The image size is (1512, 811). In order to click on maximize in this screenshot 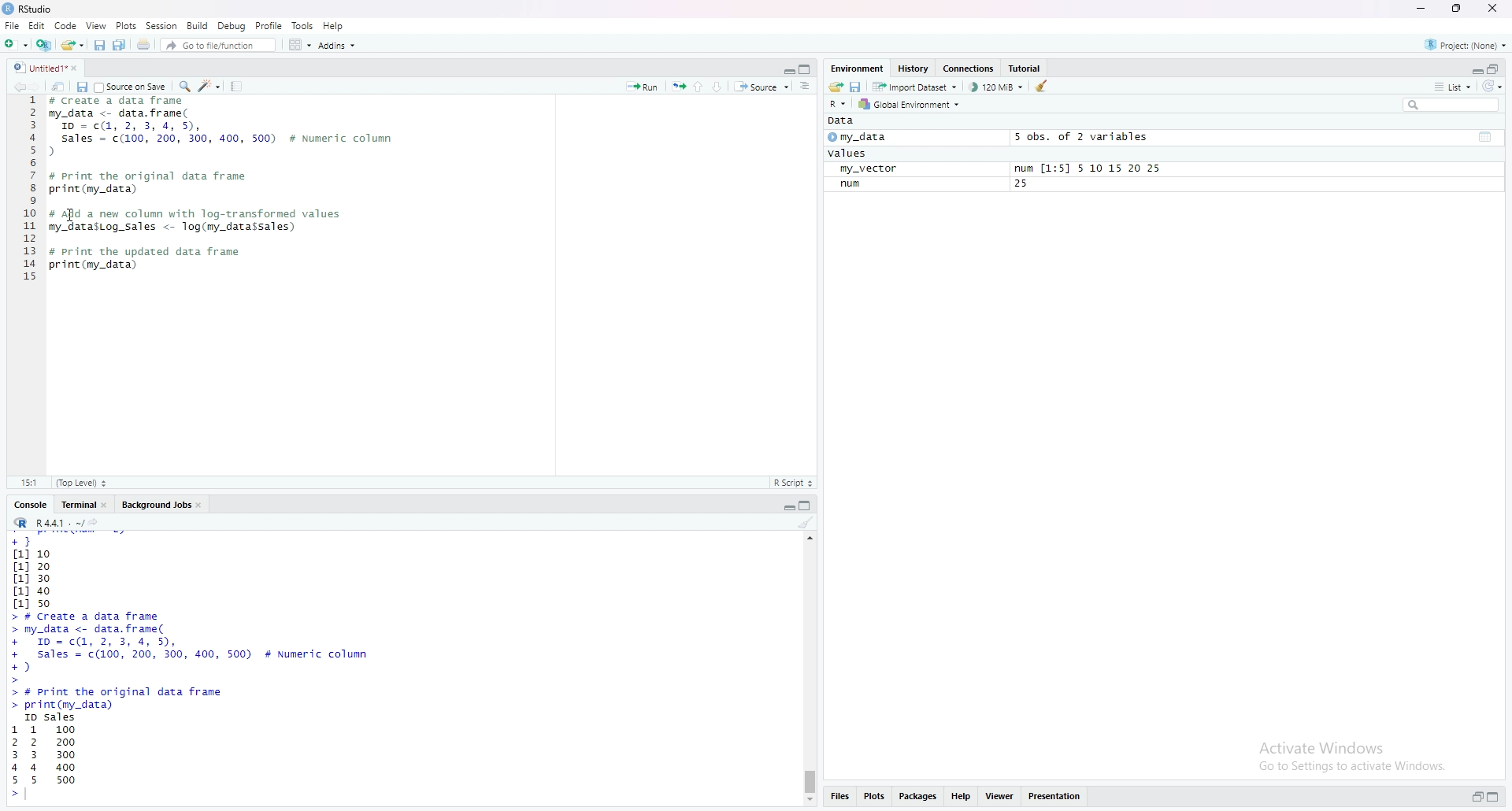, I will do `click(1497, 794)`.